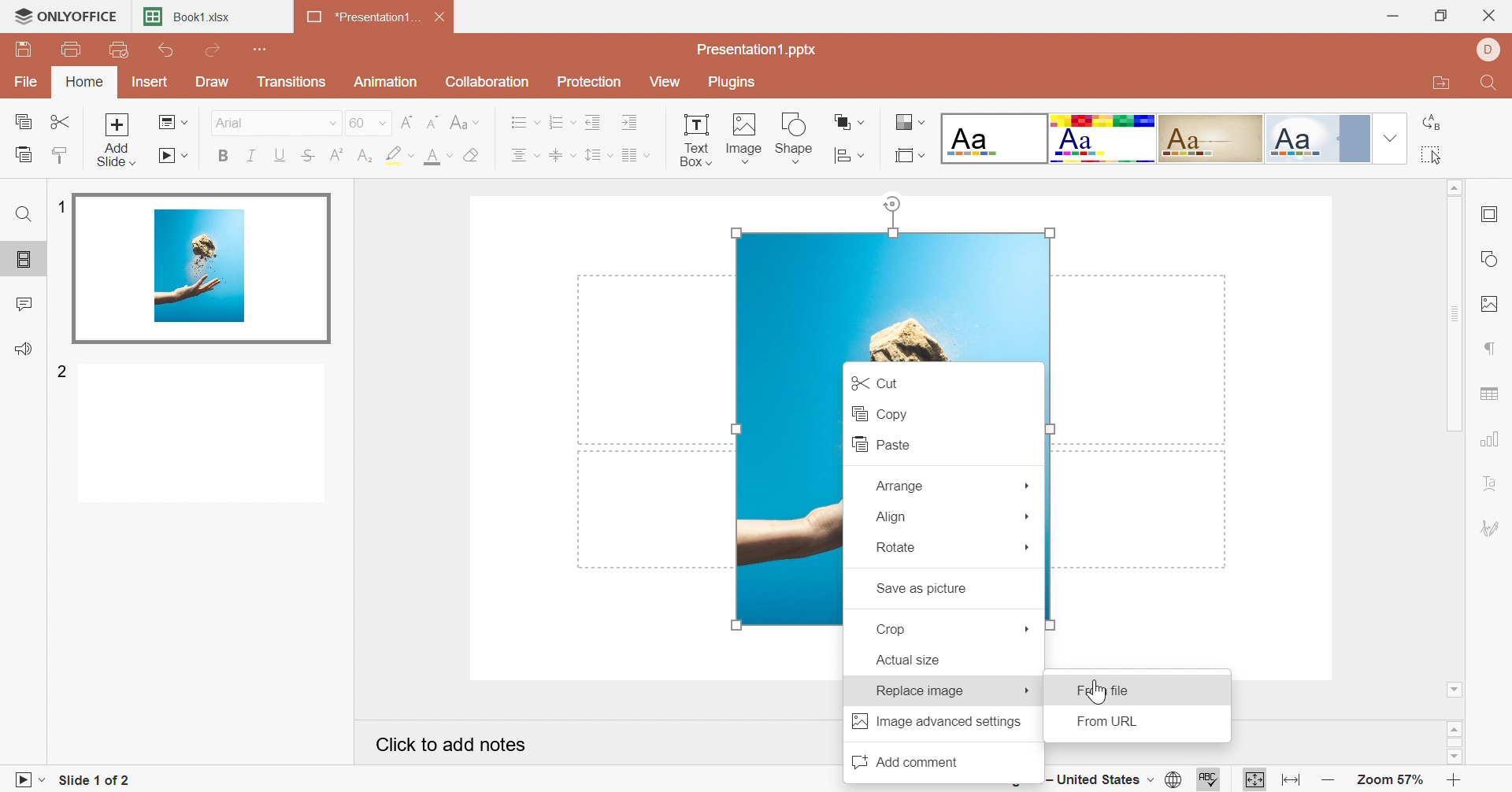 Image resolution: width=1512 pixels, height=792 pixels. Describe the element at coordinates (873, 381) in the screenshot. I see `Cut` at that location.